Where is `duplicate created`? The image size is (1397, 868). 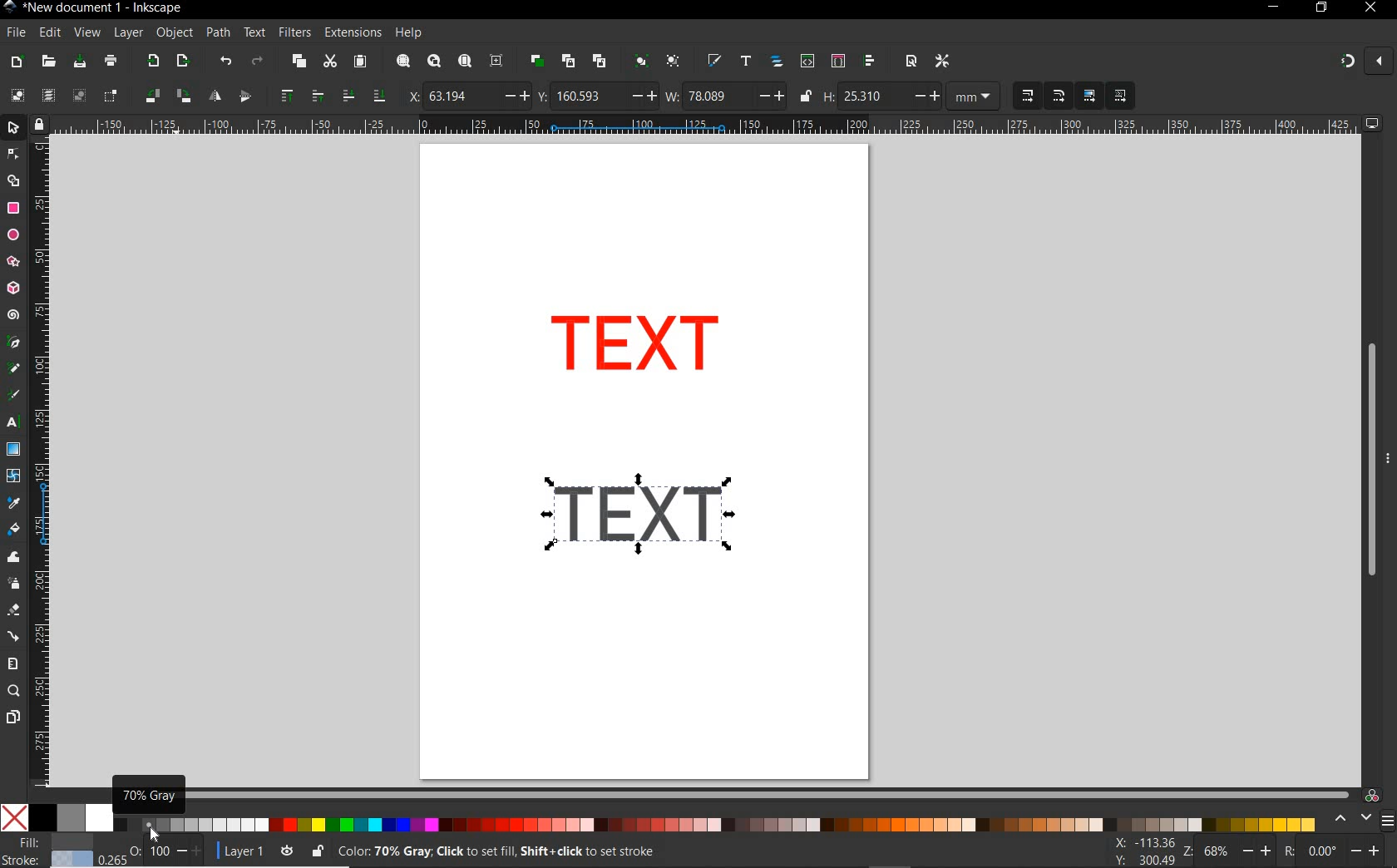
duplicate created is located at coordinates (636, 348).